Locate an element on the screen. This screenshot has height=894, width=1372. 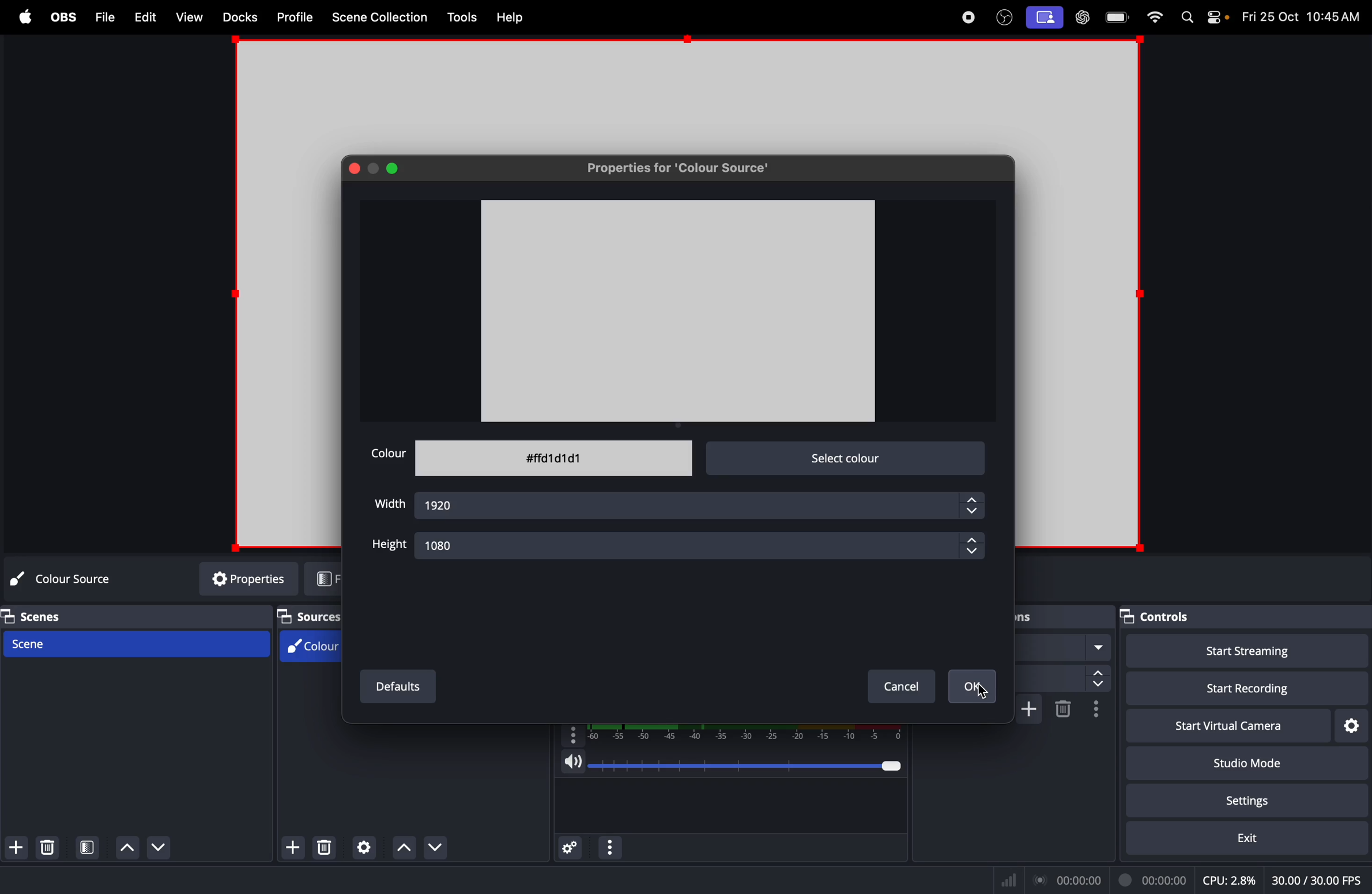
studio mode is located at coordinates (1243, 761).